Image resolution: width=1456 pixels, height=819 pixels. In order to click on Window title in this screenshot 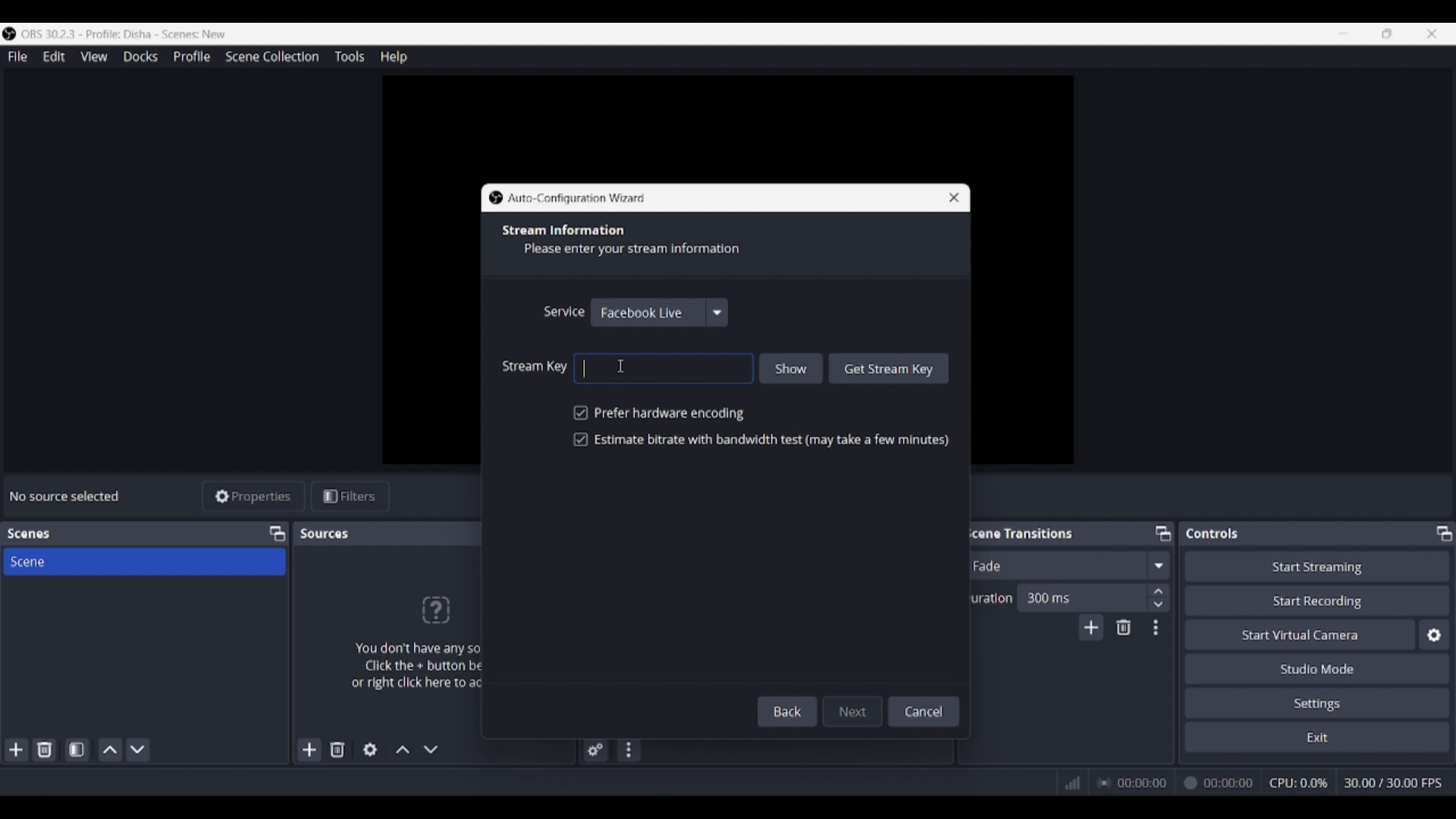, I will do `click(577, 199)`.